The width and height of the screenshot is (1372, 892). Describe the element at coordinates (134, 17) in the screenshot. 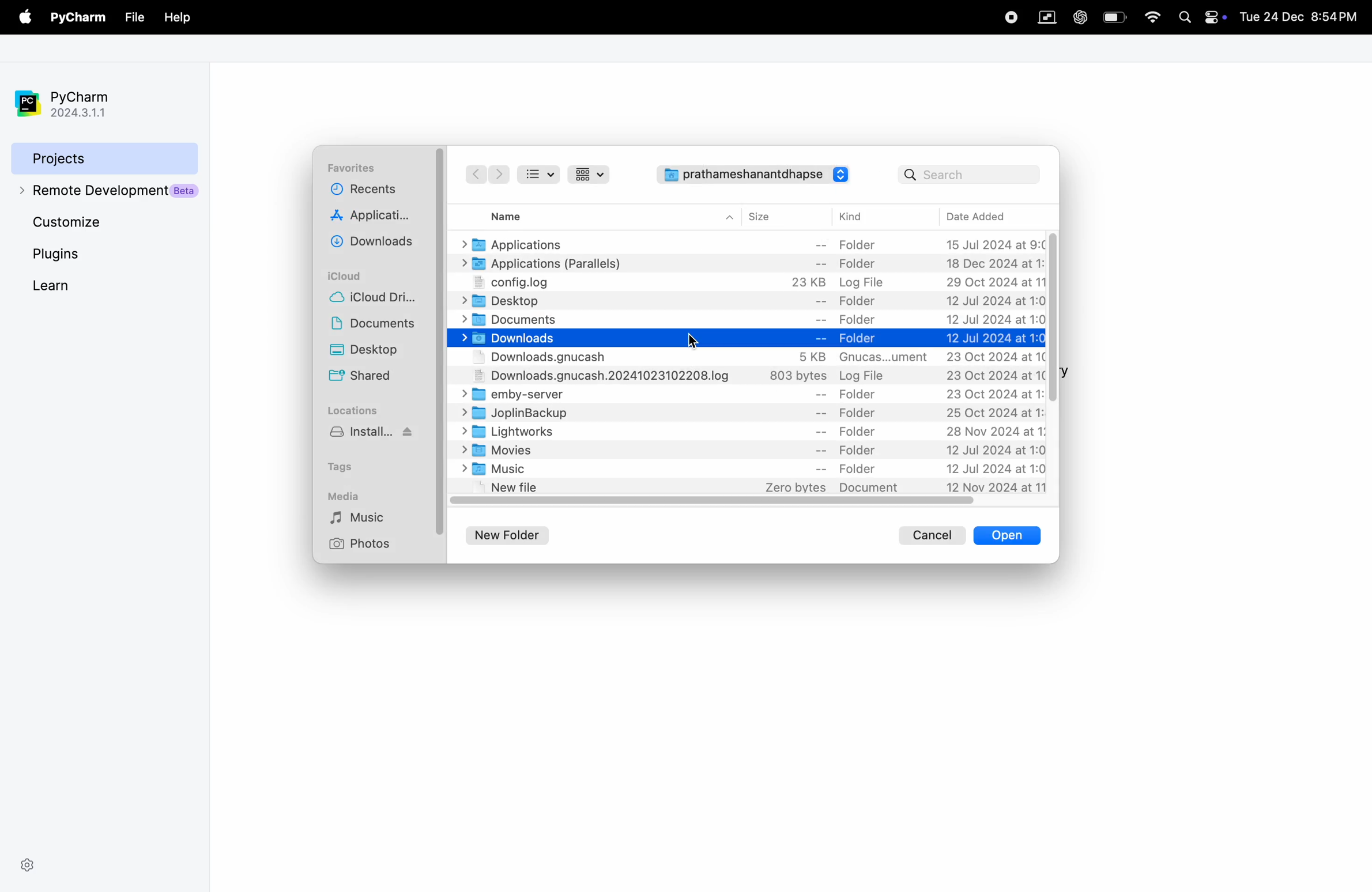

I see `file` at that location.